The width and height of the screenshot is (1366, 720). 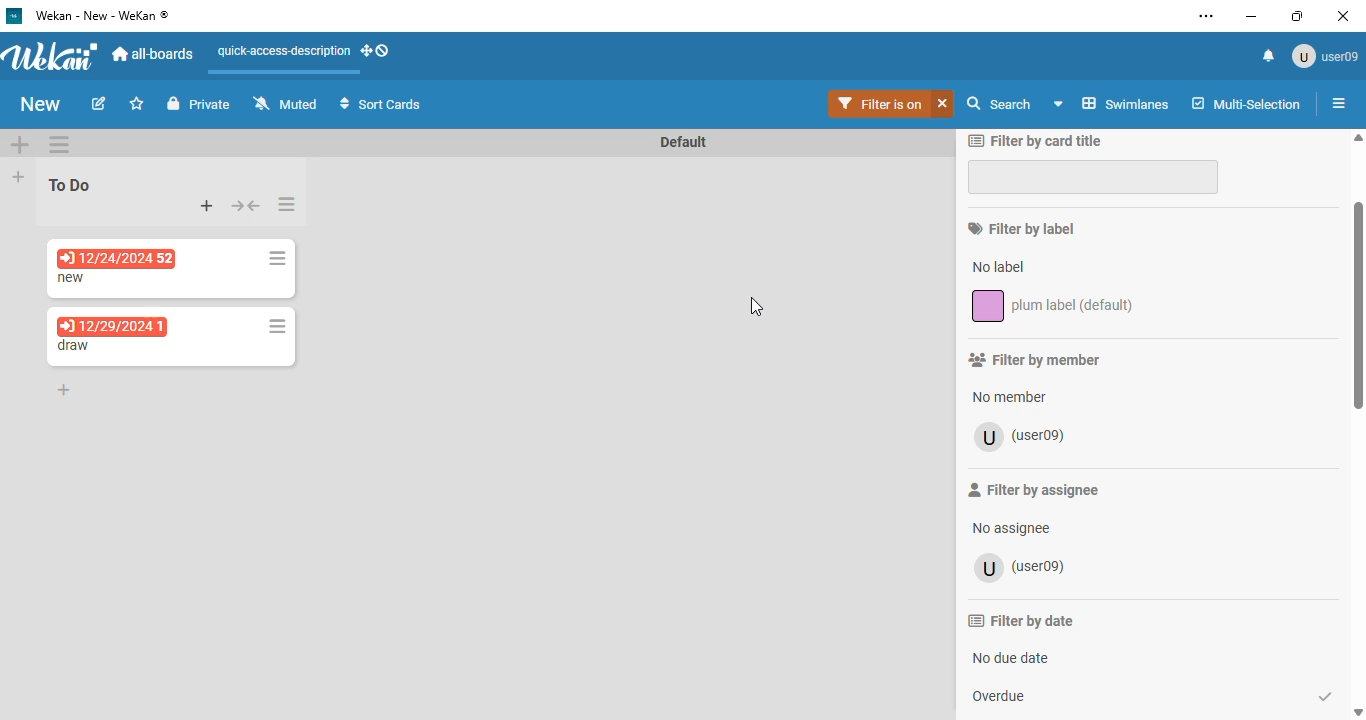 What do you see at coordinates (1112, 103) in the screenshot?
I see `swimlanes` at bounding box center [1112, 103].